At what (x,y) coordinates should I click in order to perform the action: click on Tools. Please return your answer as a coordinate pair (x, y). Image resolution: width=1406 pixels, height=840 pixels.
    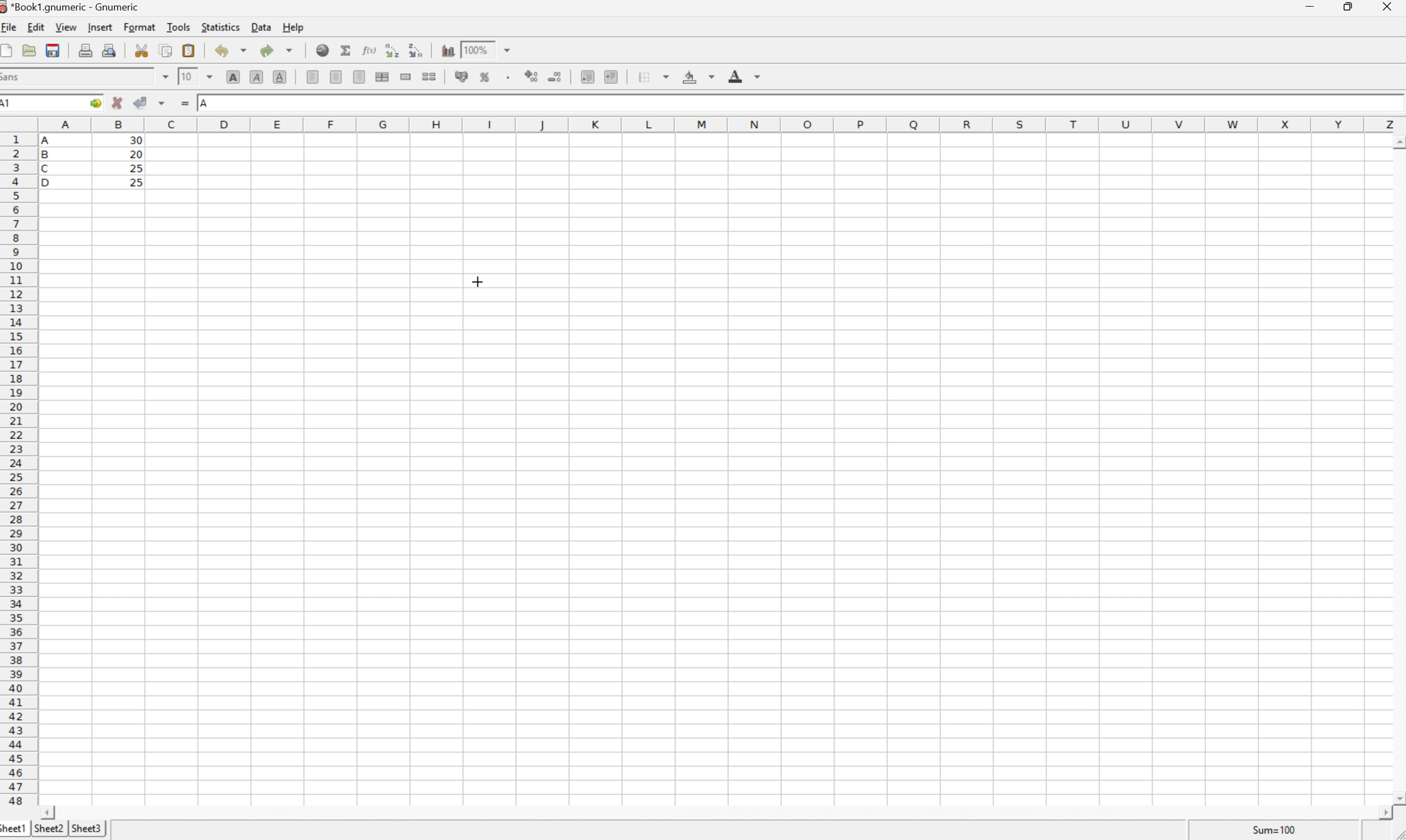
    Looking at the image, I should click on (178, 27).